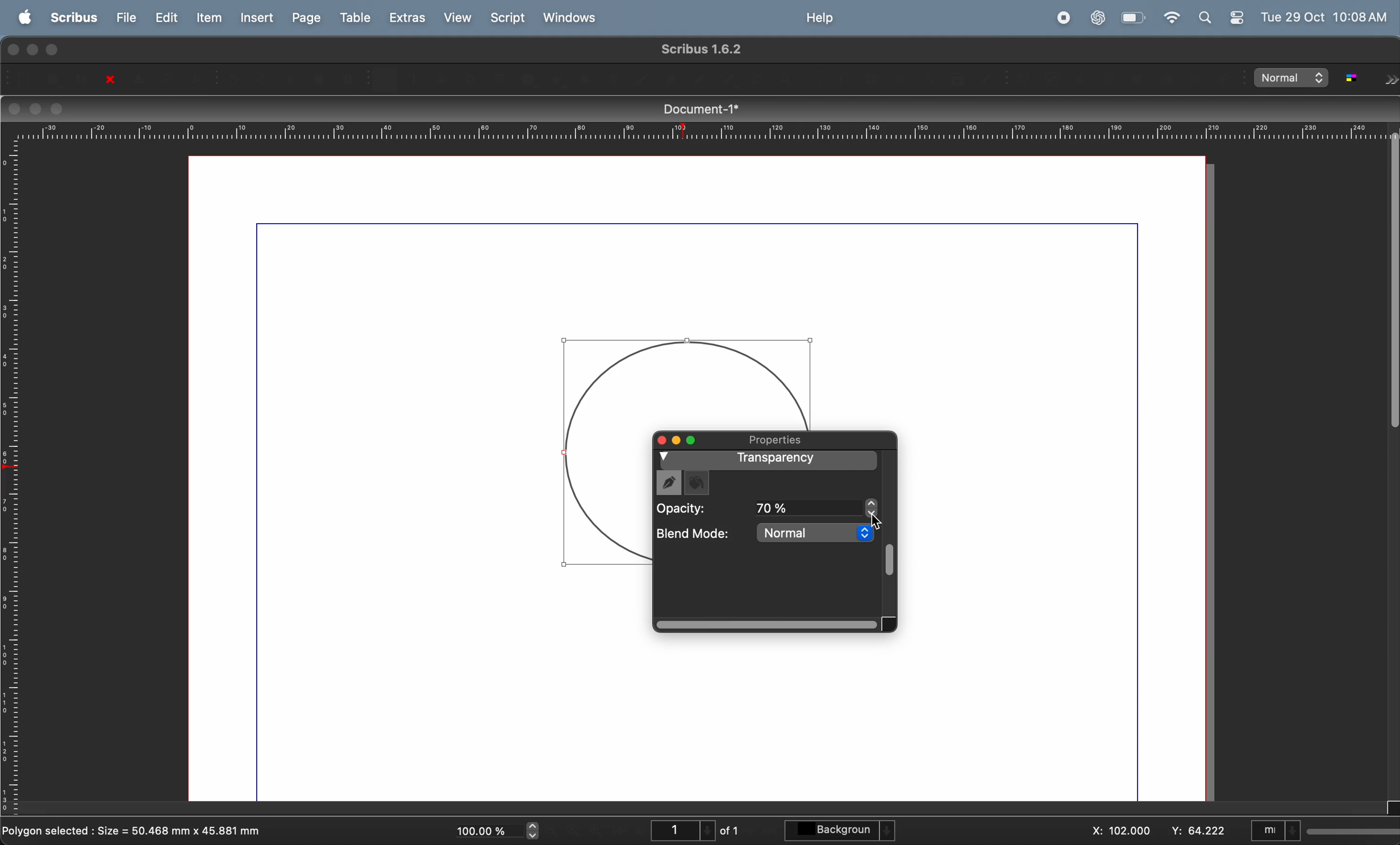  Describe the element at coordinates (136, 829) in the screenshot. I see `polygon selected` at that location.